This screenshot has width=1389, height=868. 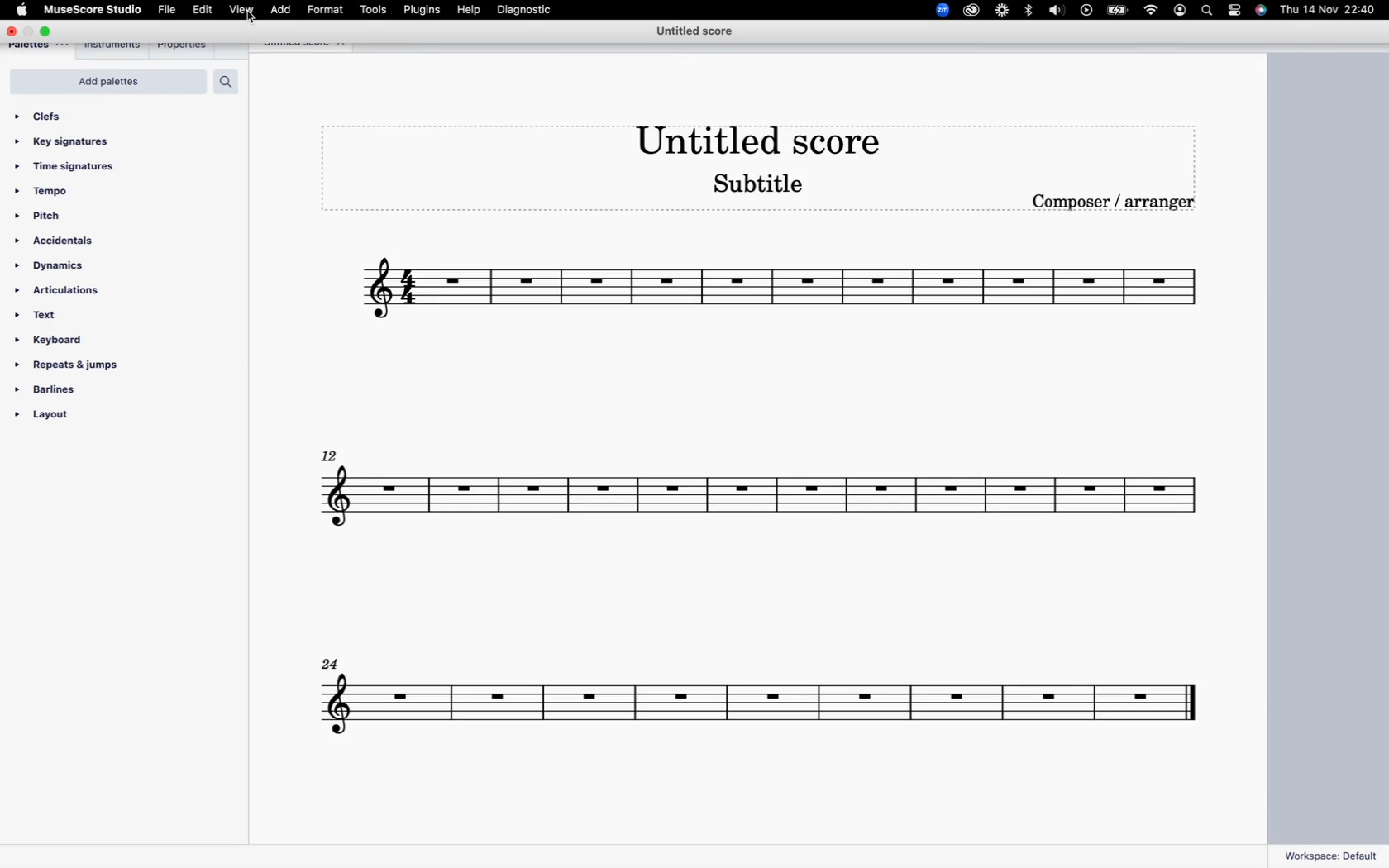 What do you see at coordinates (75, 168) in the screenshot?
I see `time signatures` at bounding box center [75, 168].